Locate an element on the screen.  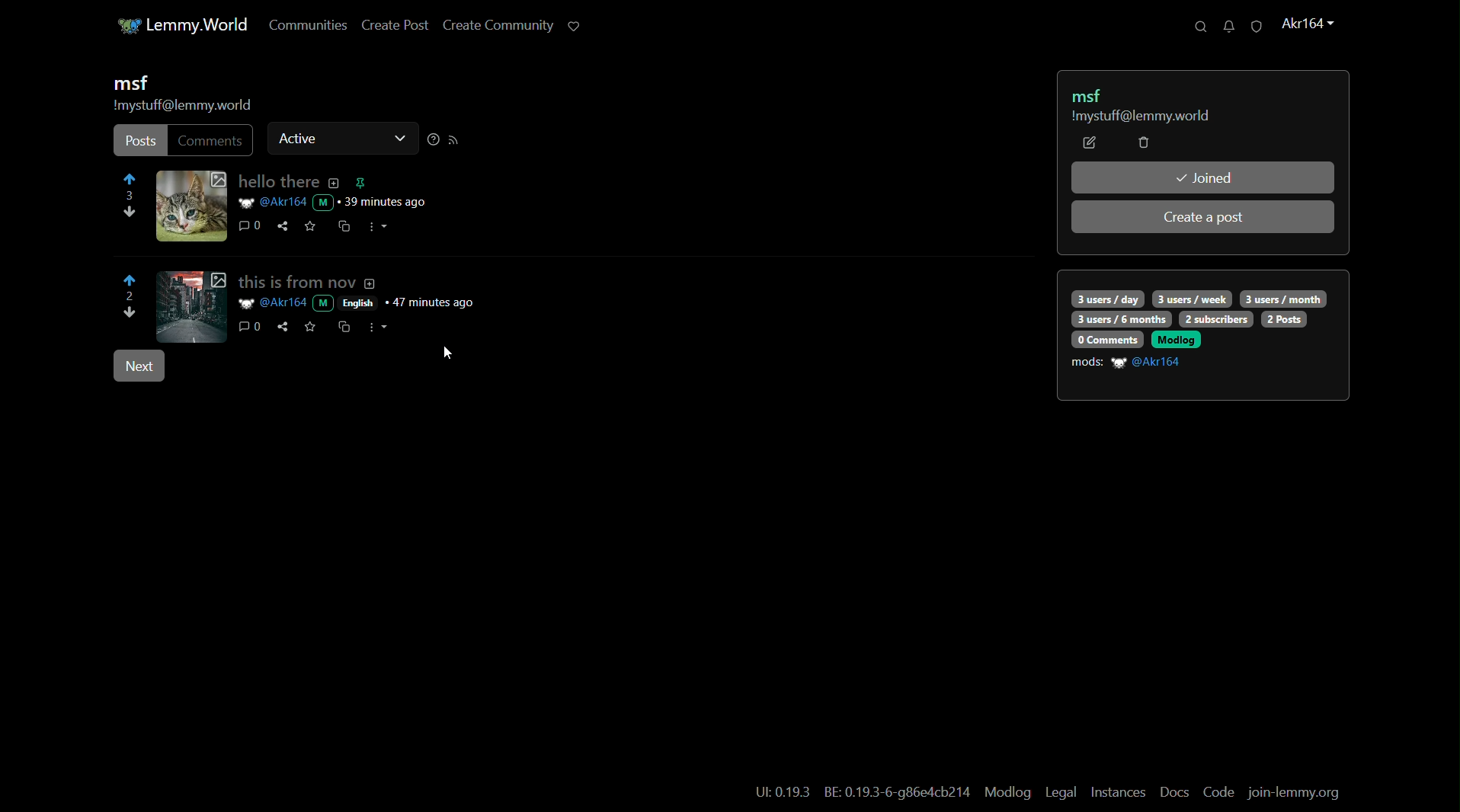
3 users/day is located at coordinates (1106, 299).